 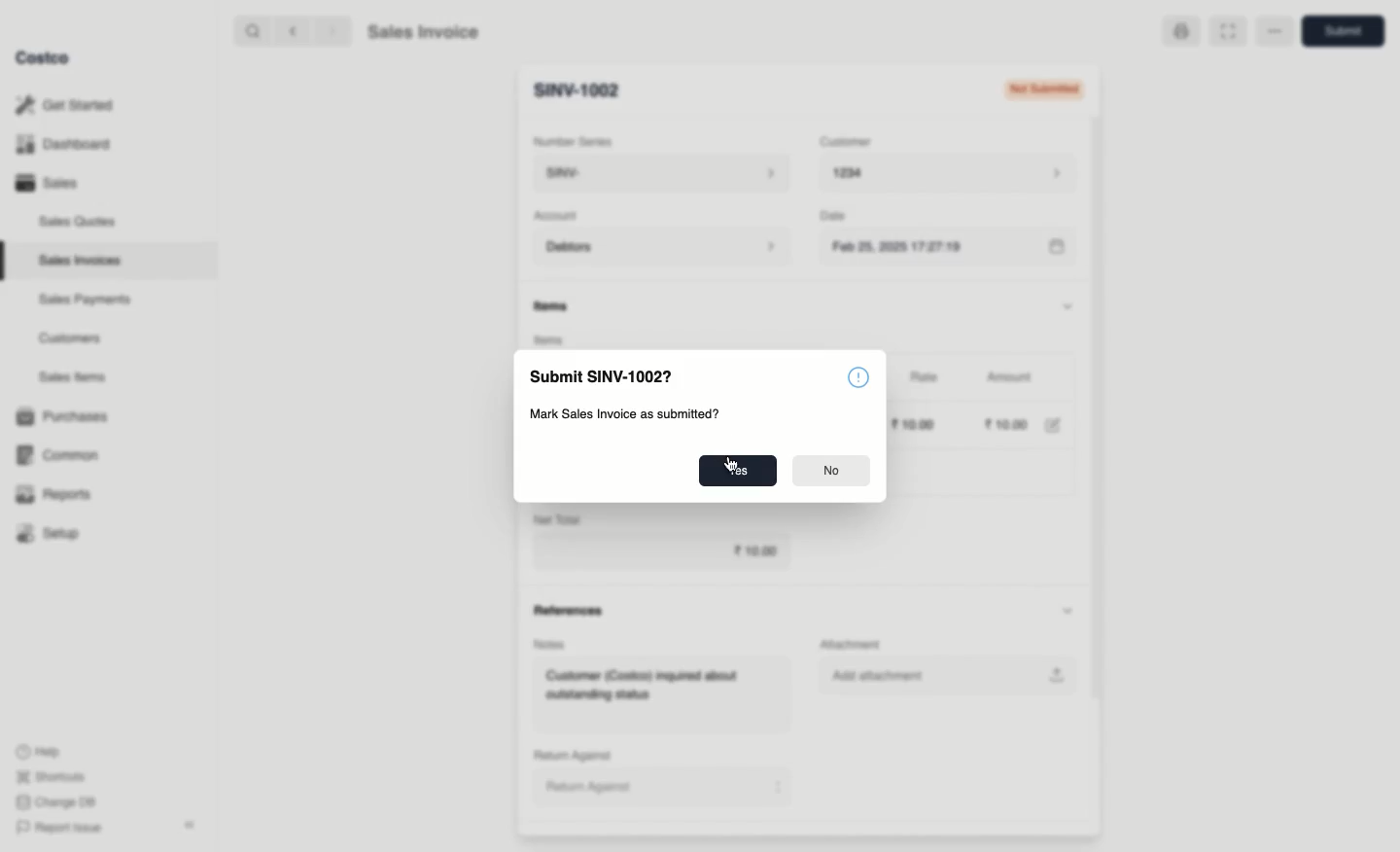 I want to click on ‘Account, so click(x=558, y=216).